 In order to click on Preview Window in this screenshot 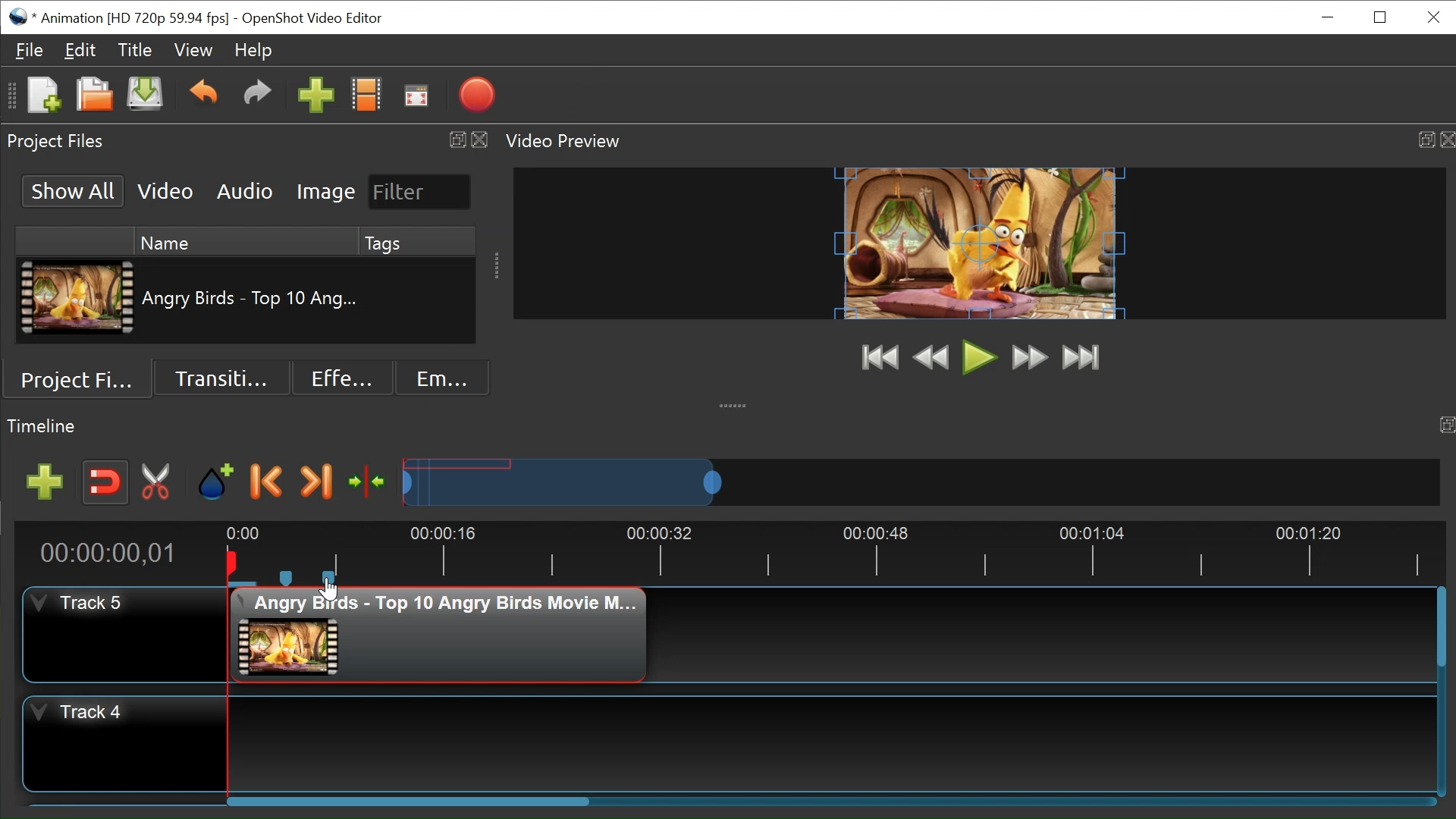, I will do `click(981, 244)`.